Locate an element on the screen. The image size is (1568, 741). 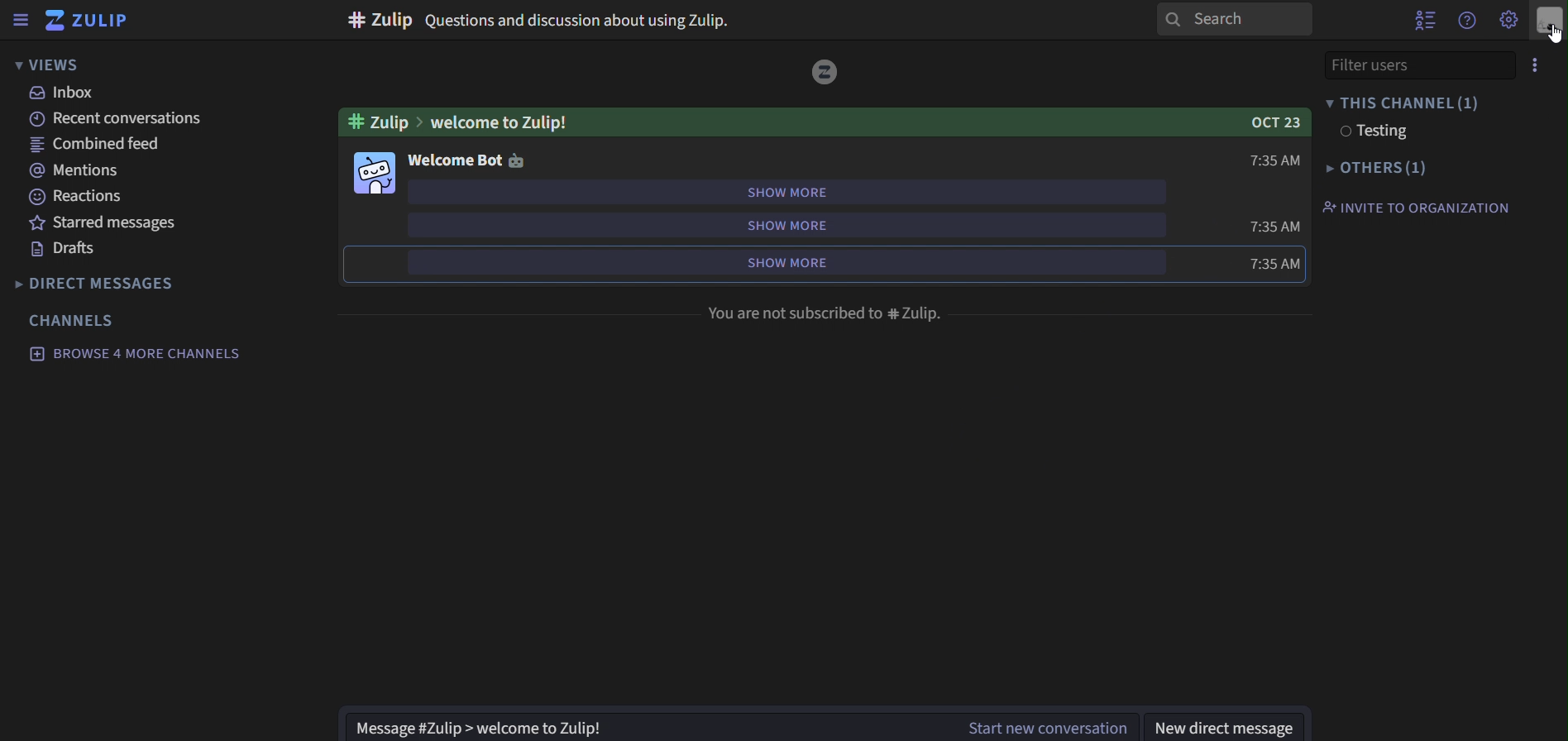
image is located at coordinates (376, 173).